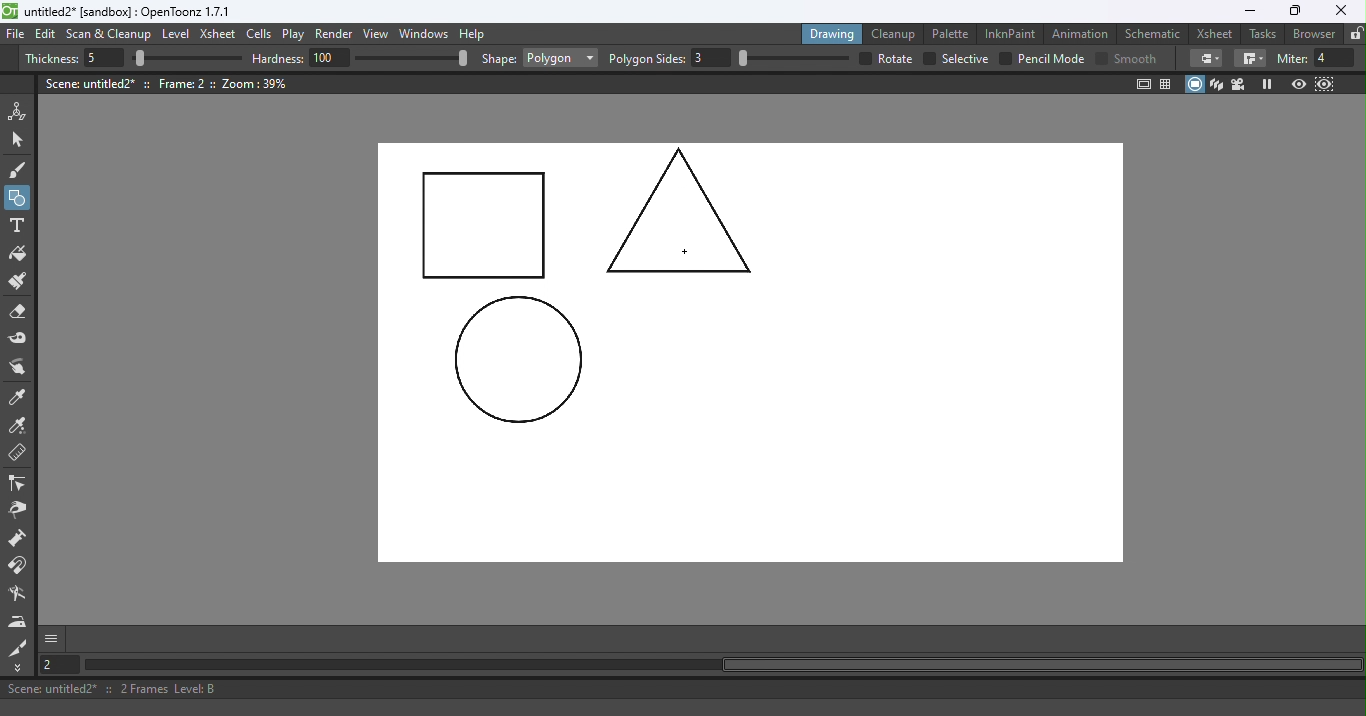  Describe the element at coordinates (793, 58) in the screenshot. I see `slider` at that location.